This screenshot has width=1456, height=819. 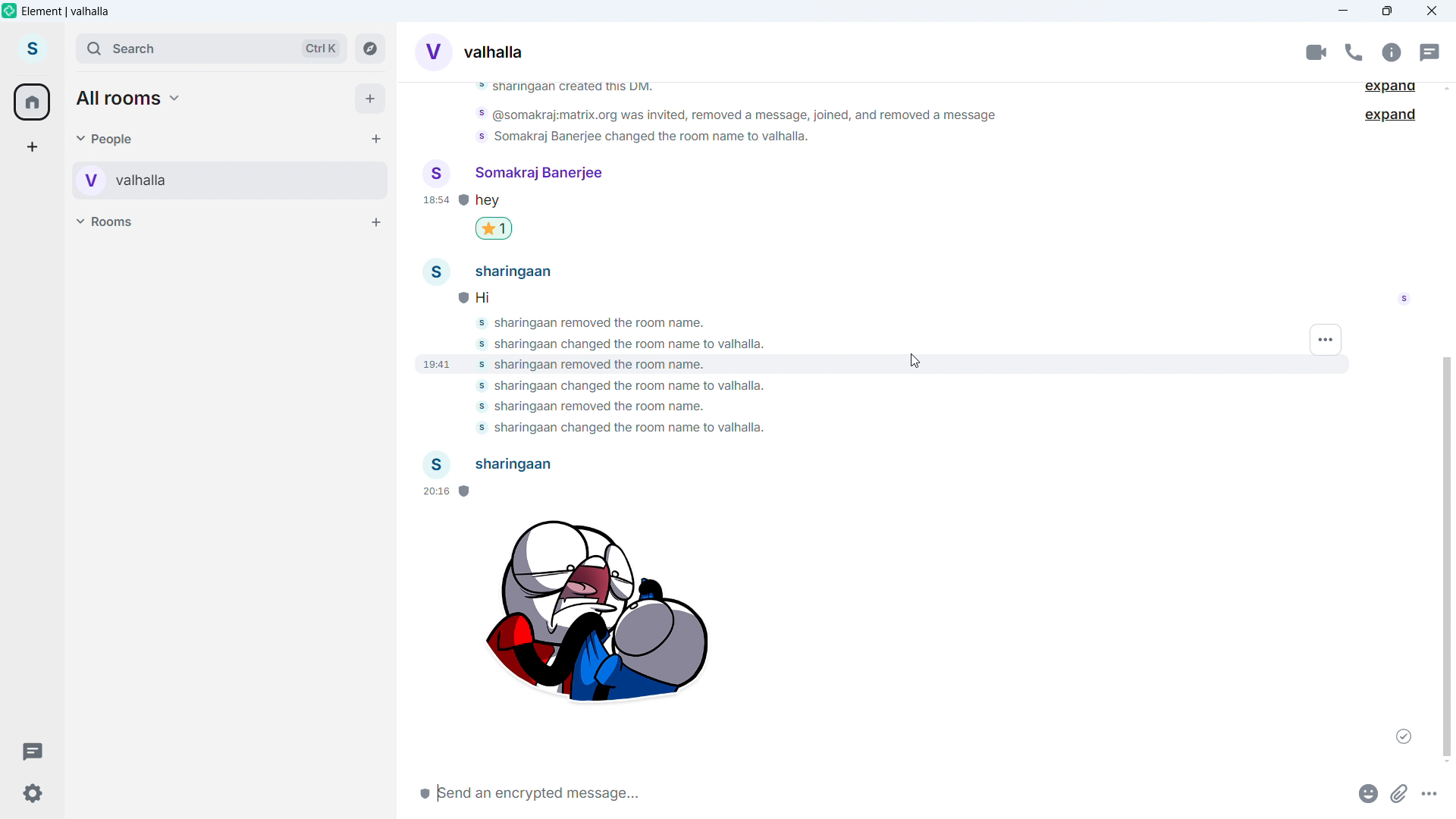 I want to click on Threads , so click(x=1428, y=52).